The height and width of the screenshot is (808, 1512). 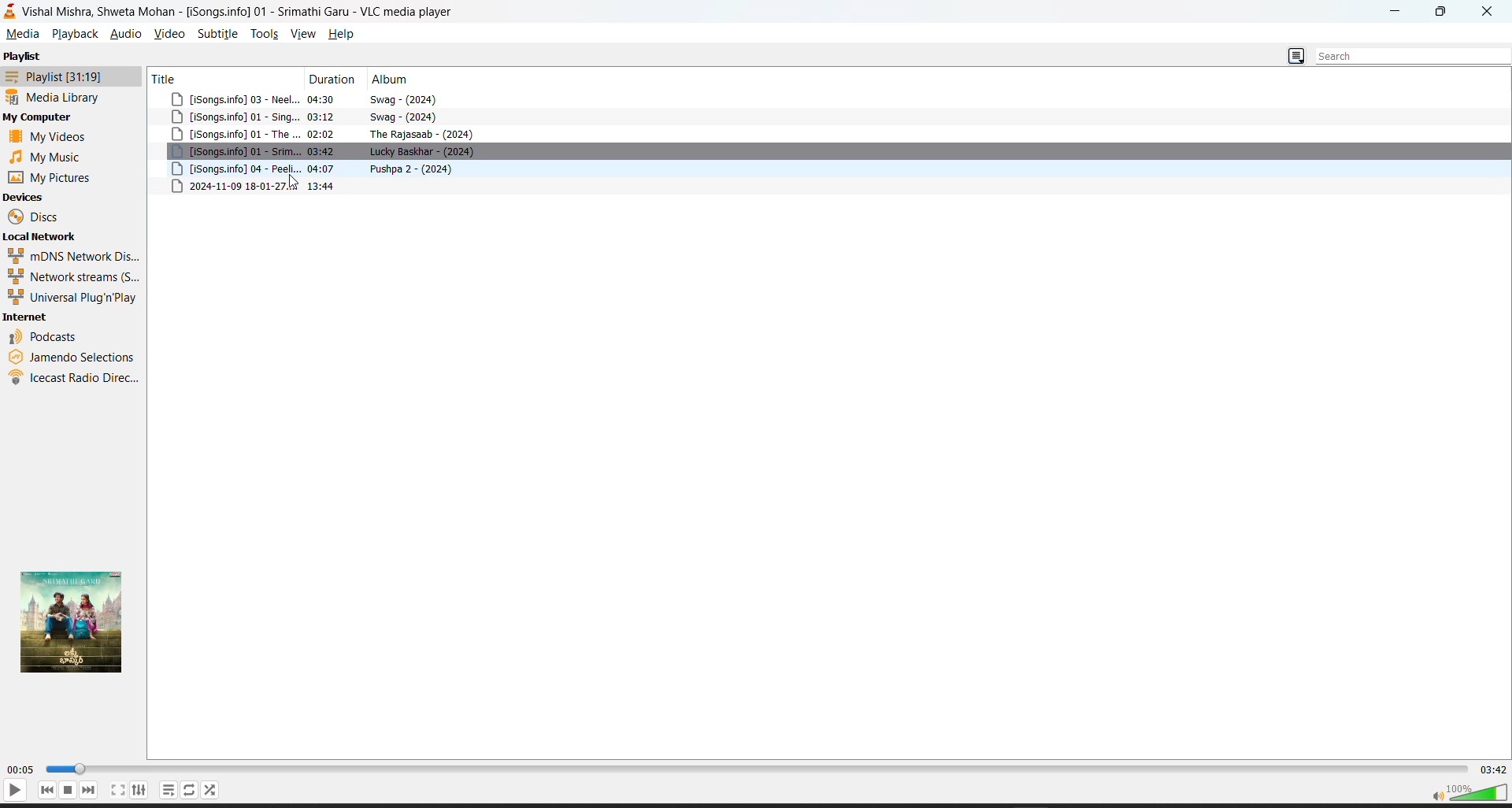 I want to click on next, so click(x=91, y=790).